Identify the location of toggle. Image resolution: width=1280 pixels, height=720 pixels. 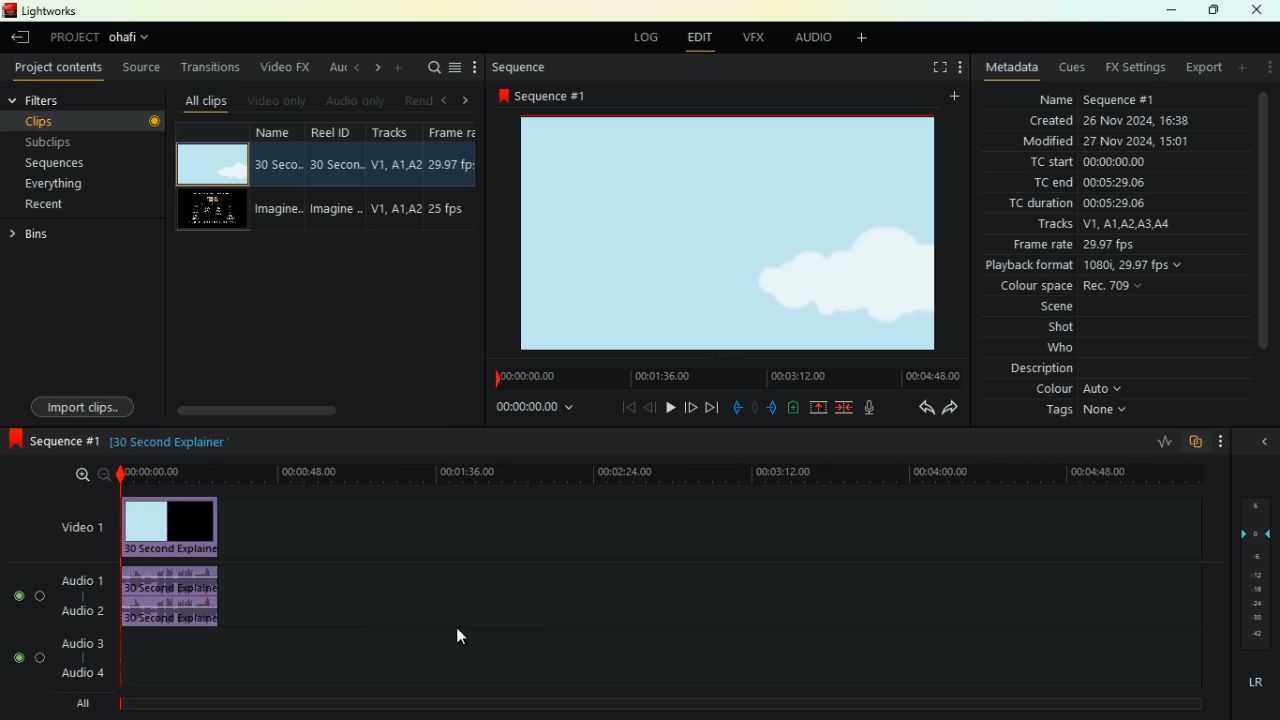
(40, 658).